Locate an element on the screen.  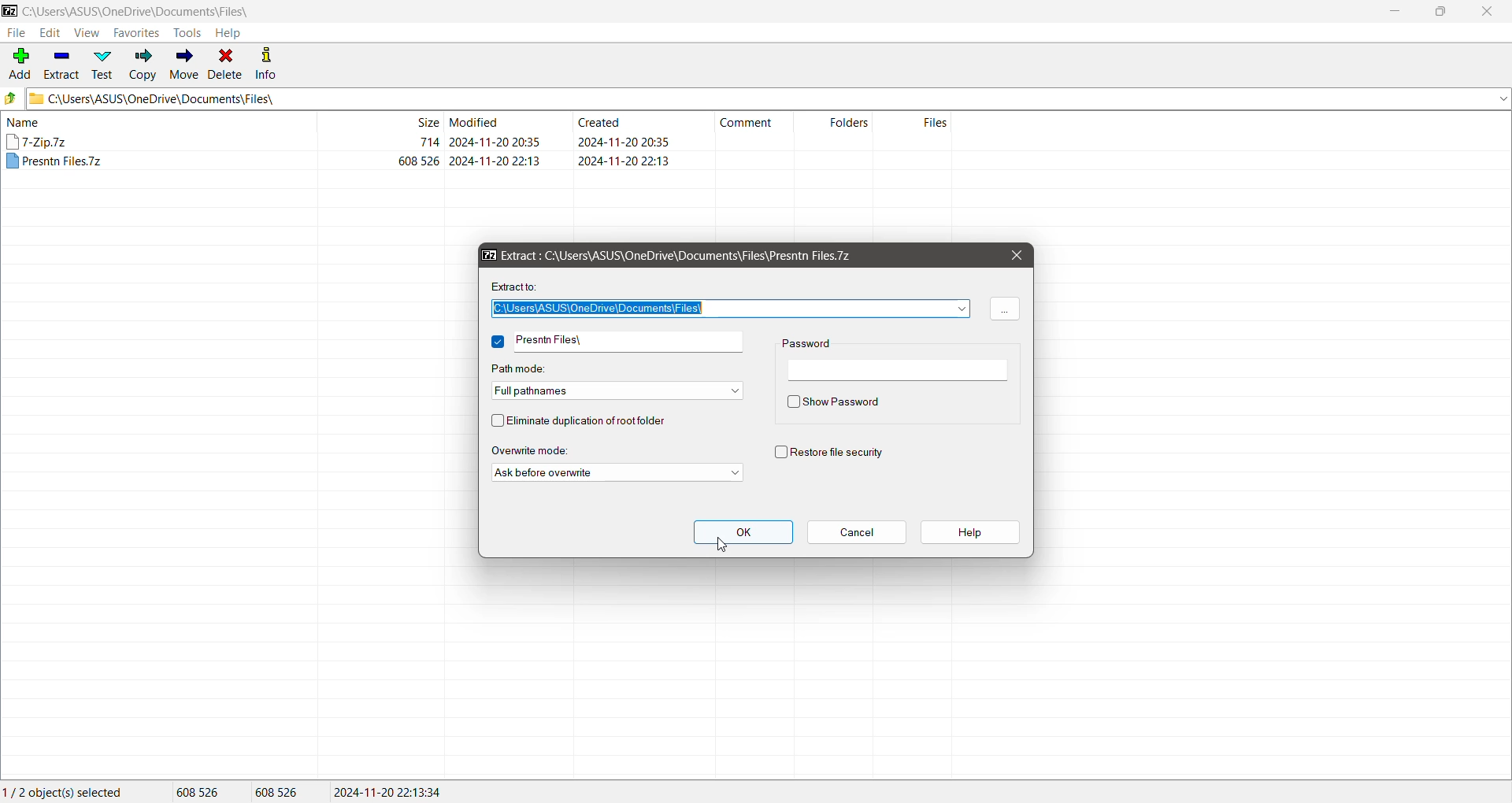
created date & time is located at coordinates (623, 142).